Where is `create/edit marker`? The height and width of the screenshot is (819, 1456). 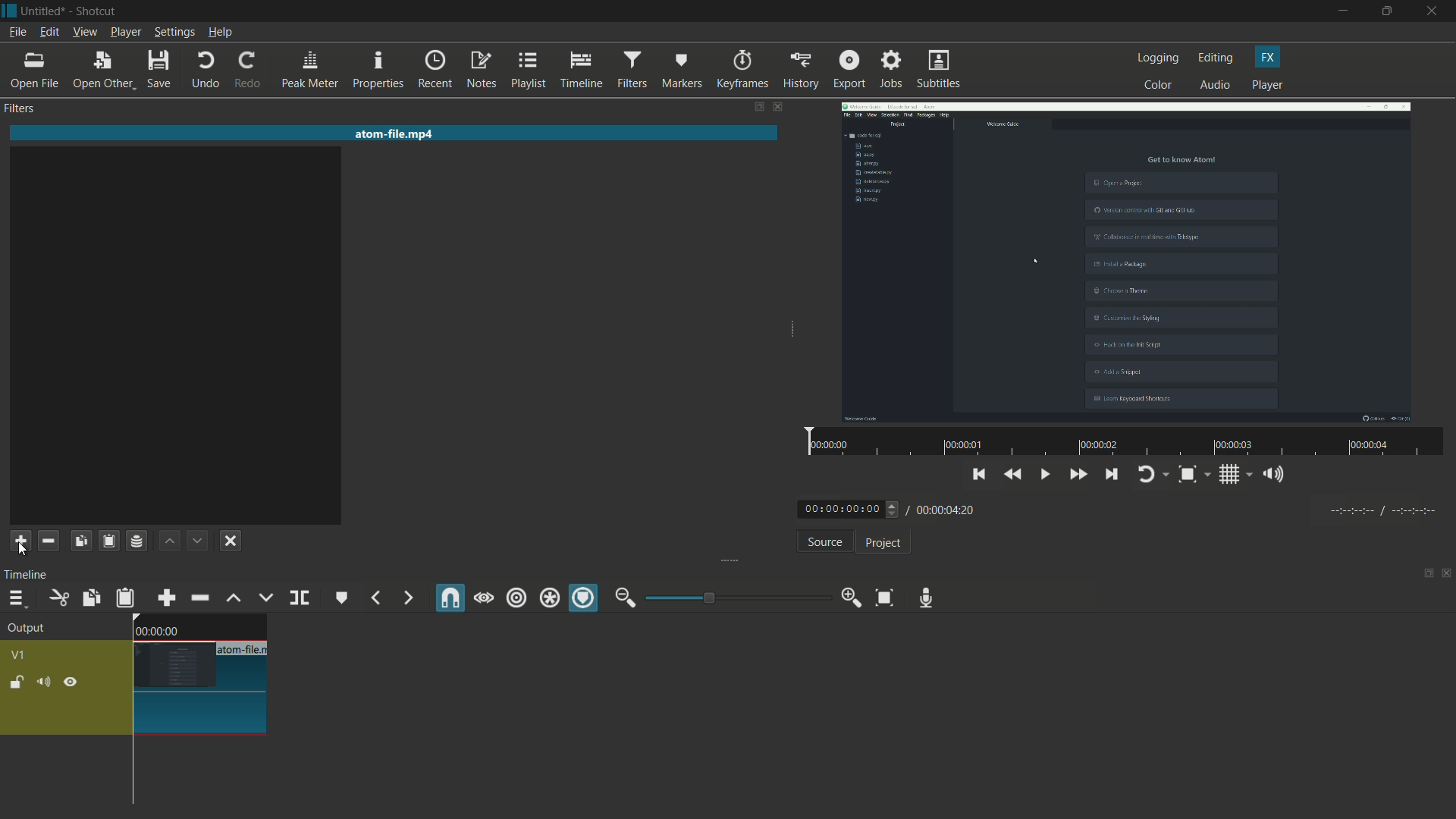
create/edit marker is located at coordinates (342, 598).